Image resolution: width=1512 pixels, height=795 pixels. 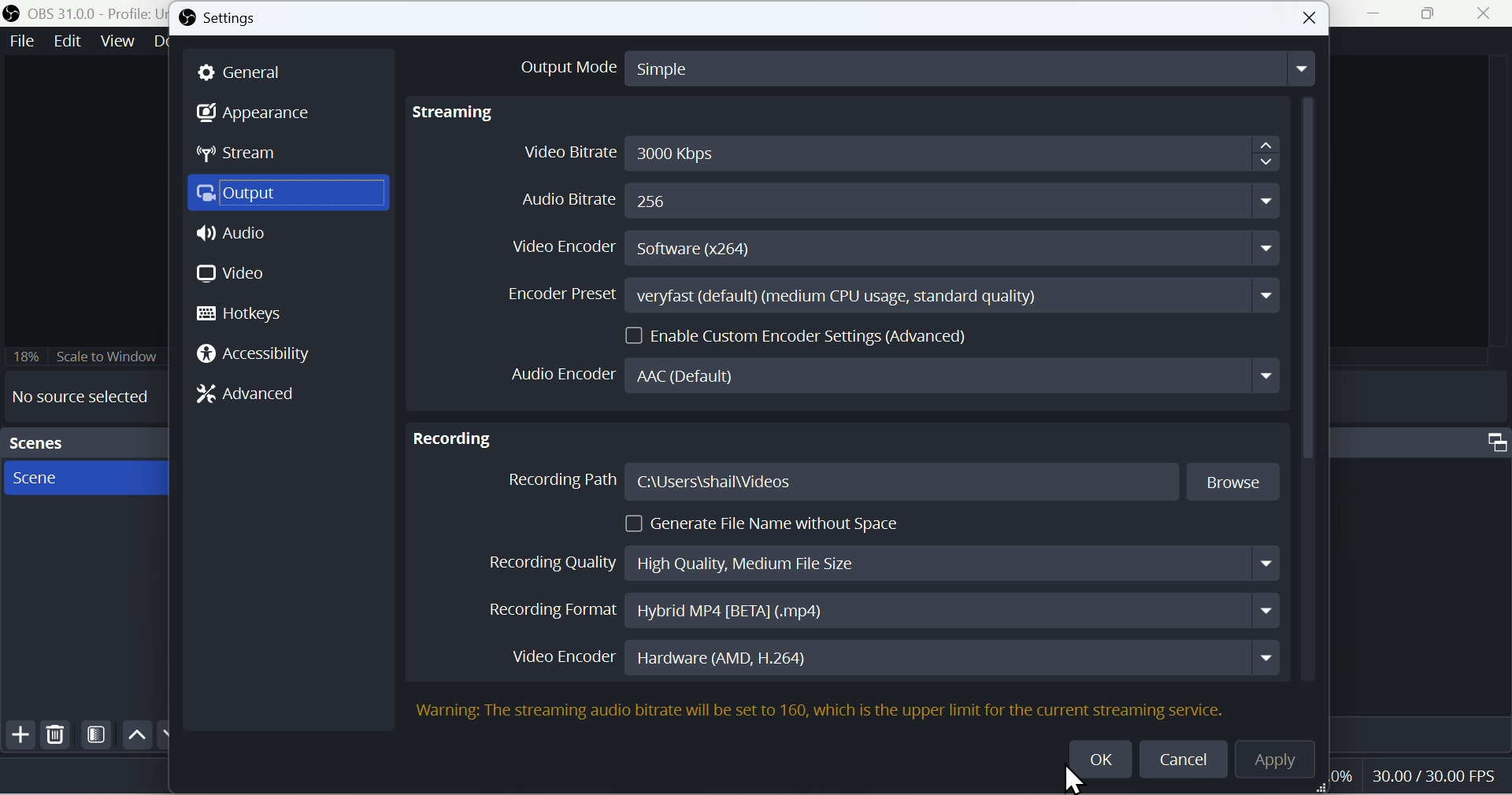 I want to click on Audio Encoder, so click(x=900, y=703).